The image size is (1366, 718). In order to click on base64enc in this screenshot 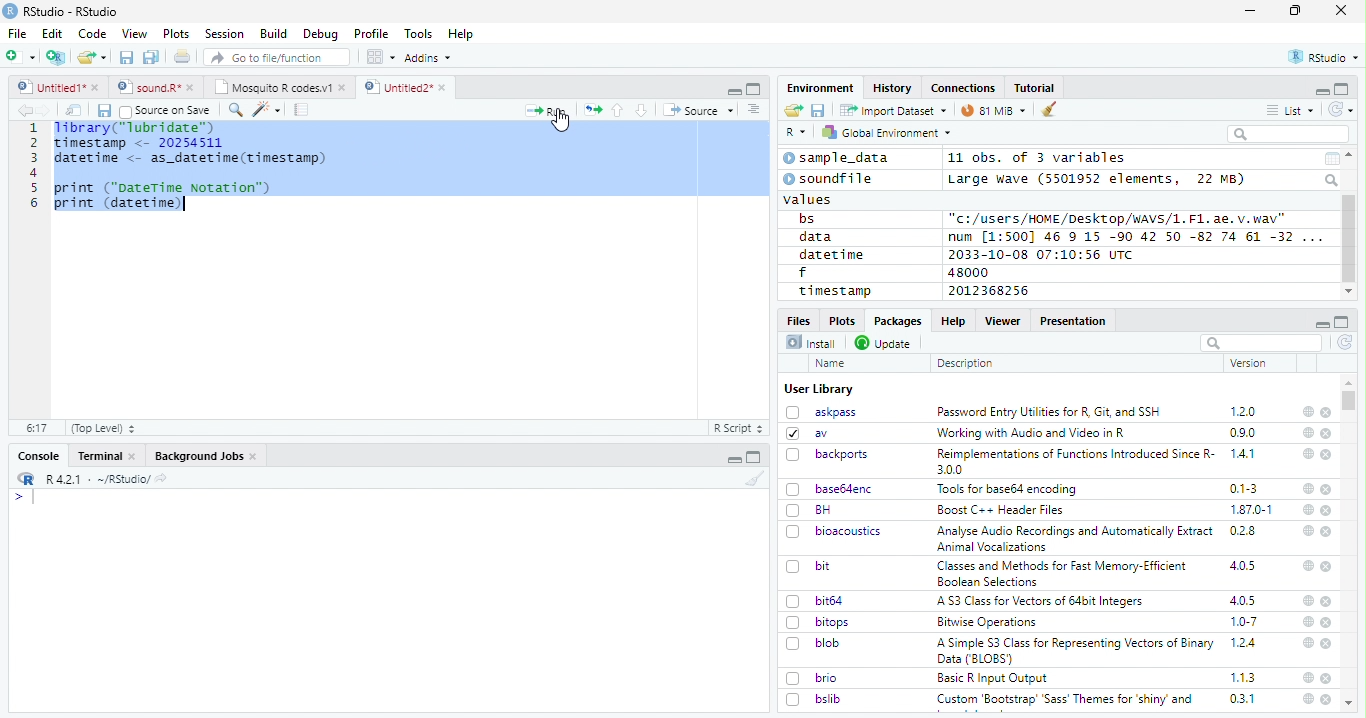, I will do `click(830, 488)`.